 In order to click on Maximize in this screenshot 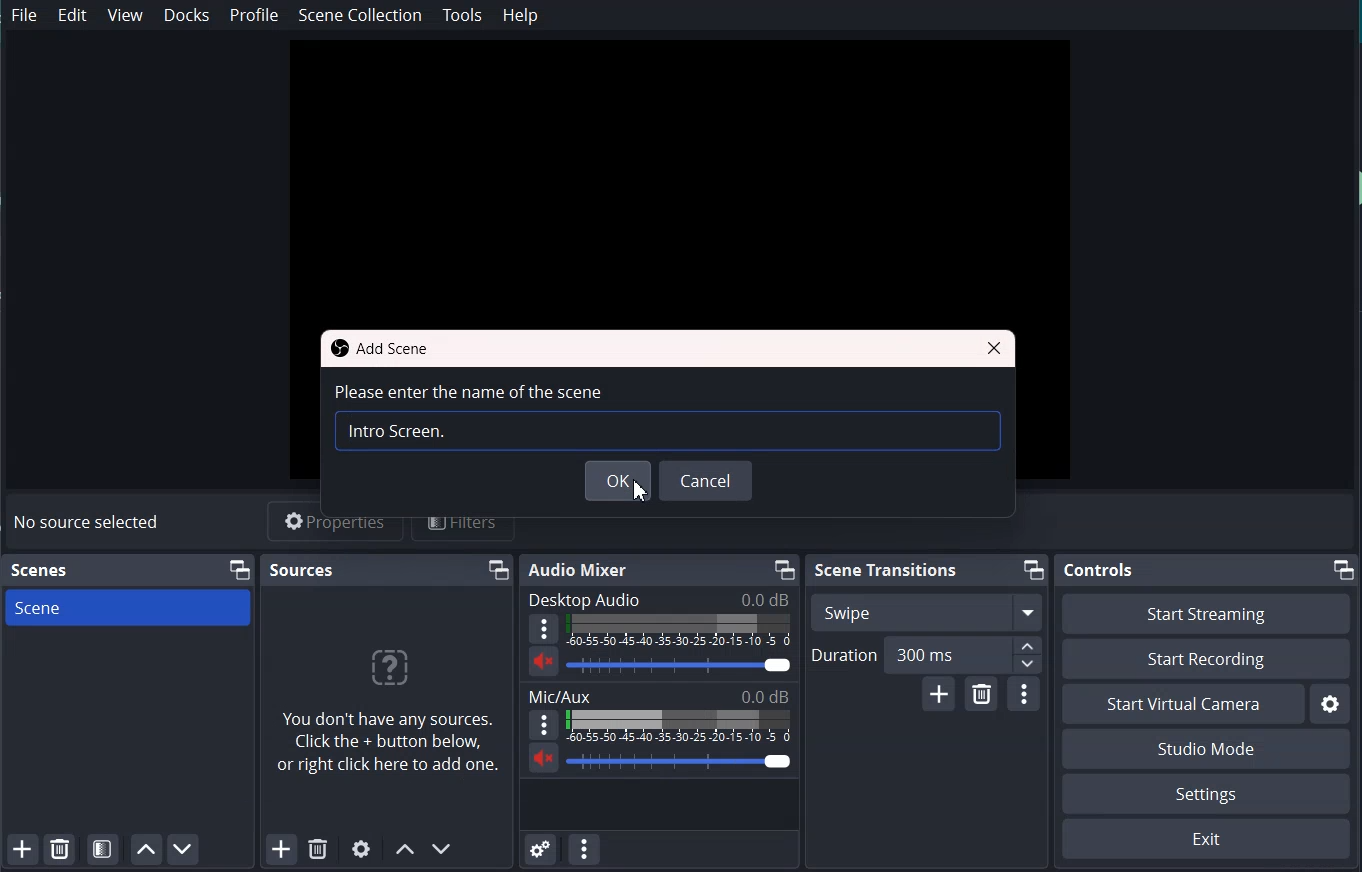, I will do `click(499, 570)`.